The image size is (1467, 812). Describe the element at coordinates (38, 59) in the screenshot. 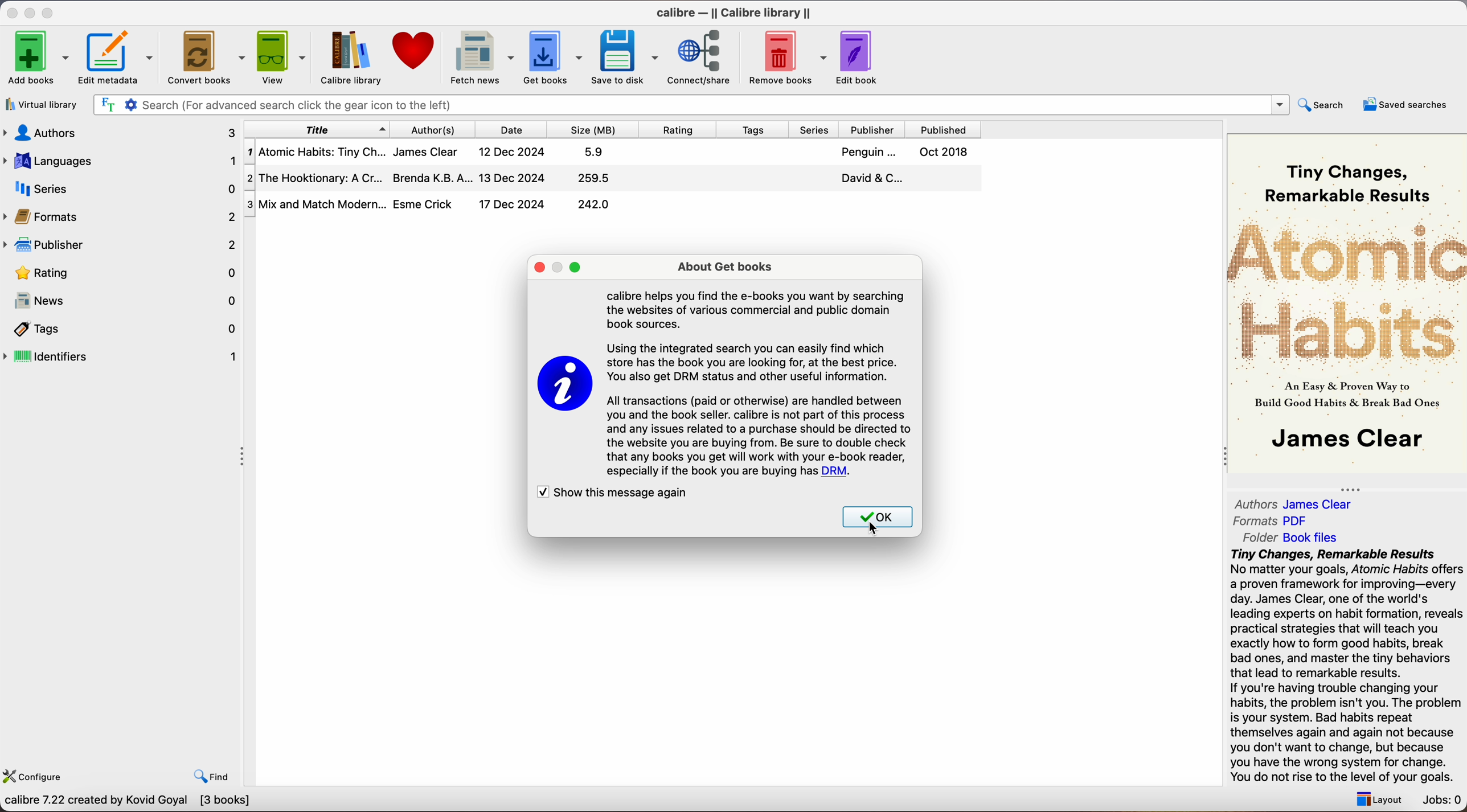

I see `add books` at that location.